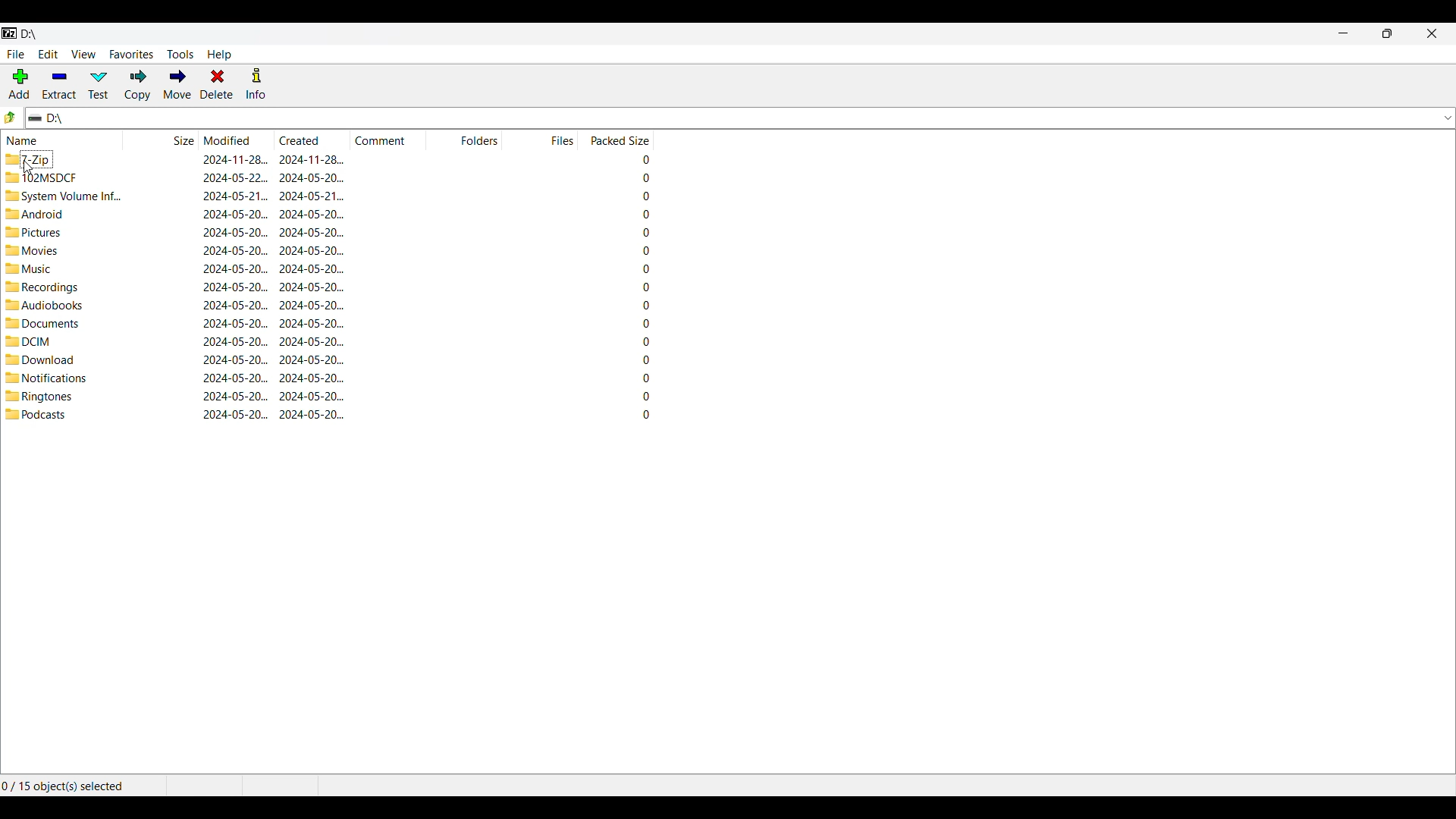 This screenshot has width=1456, height=819. Describe the element at coordinates (237, 140) in the screenshot. I see `Modified column` at that location.